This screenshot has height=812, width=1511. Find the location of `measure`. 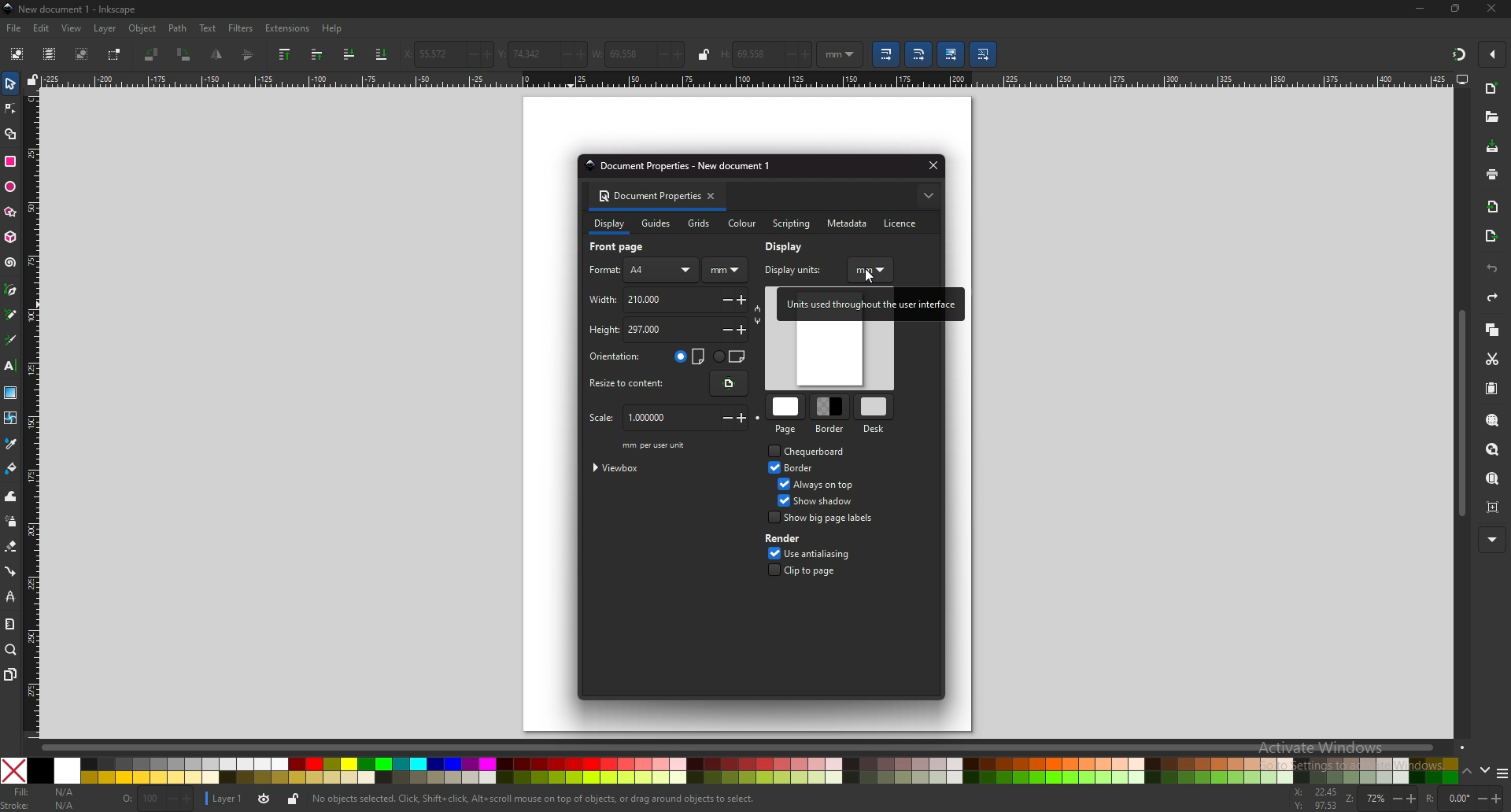

measure is located at coordinates (10, 624).